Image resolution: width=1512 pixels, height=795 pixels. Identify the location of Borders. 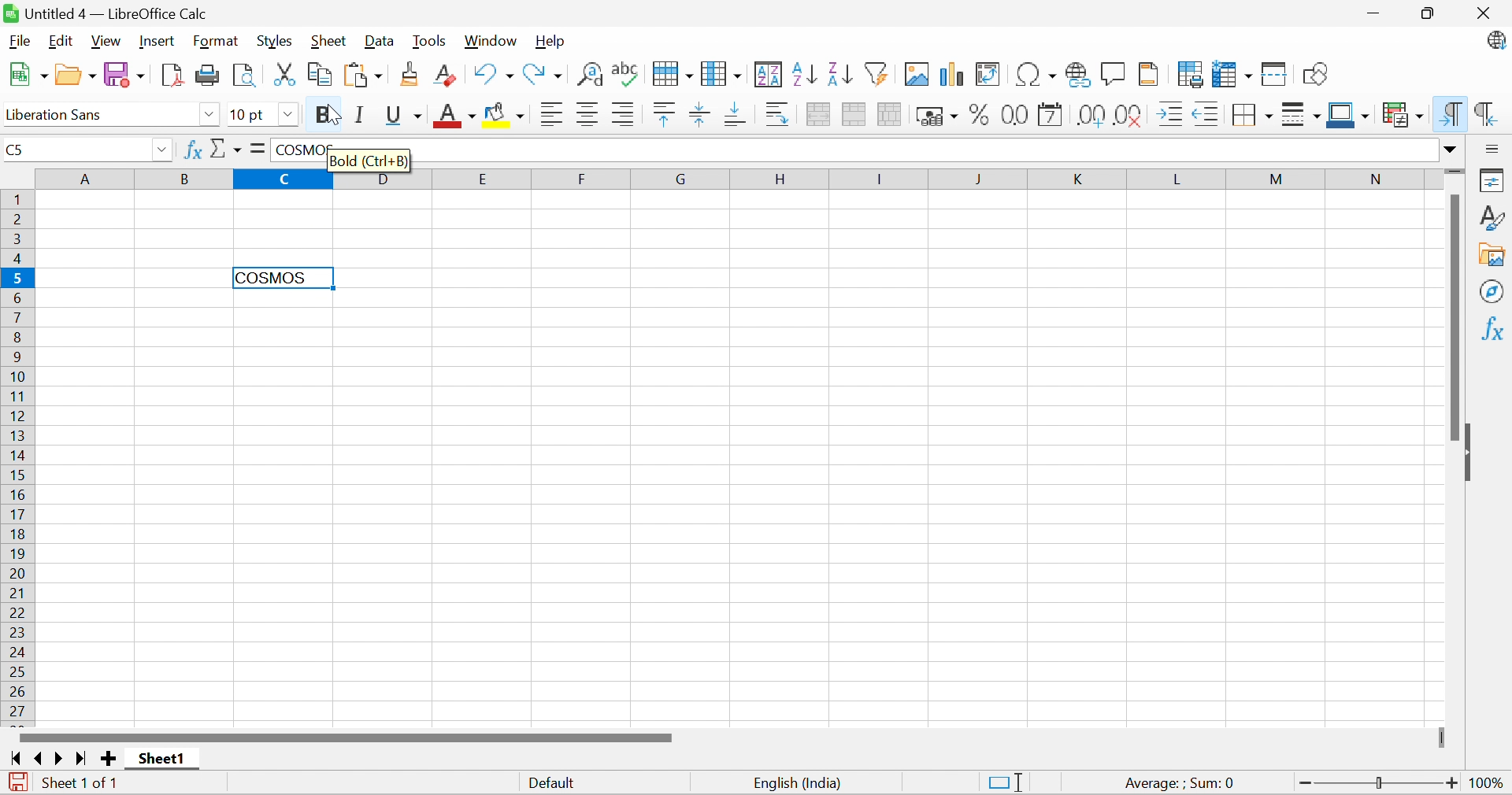
(1251, 117).